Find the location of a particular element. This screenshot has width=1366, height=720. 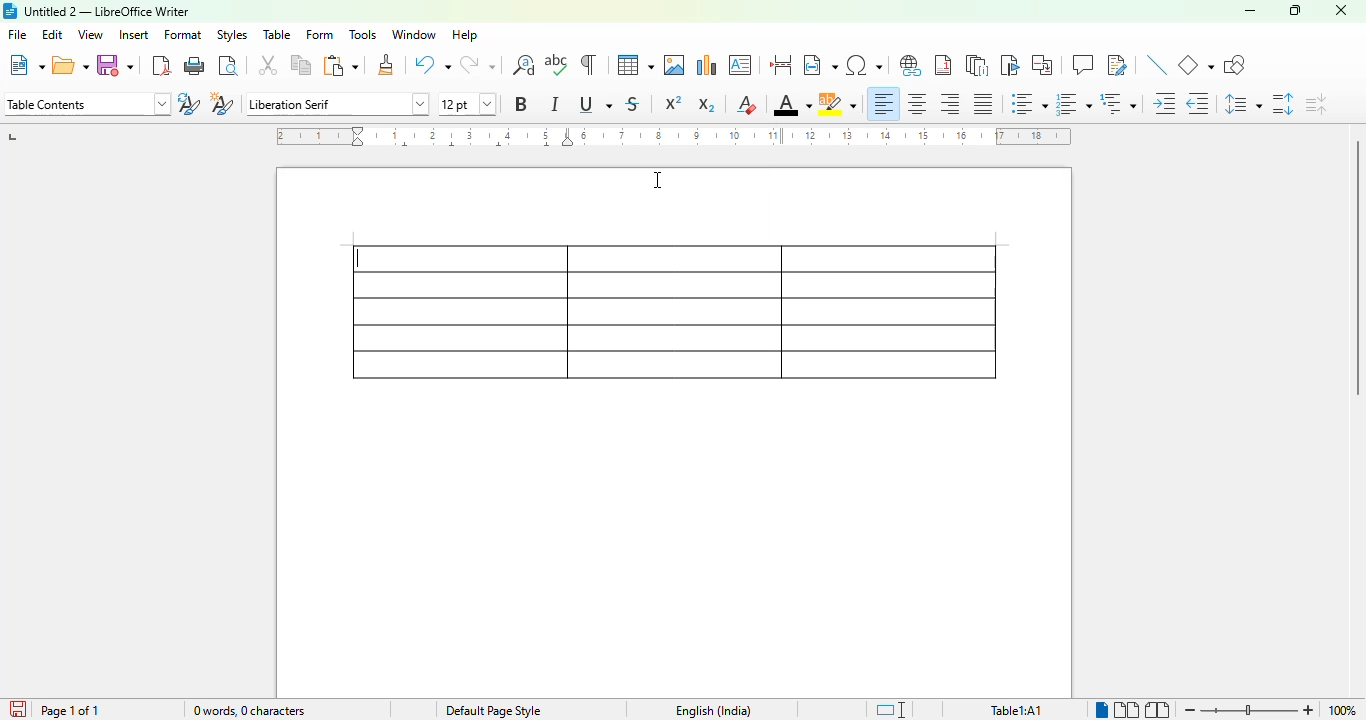

insert special characters is located at coordinates (863, 65).